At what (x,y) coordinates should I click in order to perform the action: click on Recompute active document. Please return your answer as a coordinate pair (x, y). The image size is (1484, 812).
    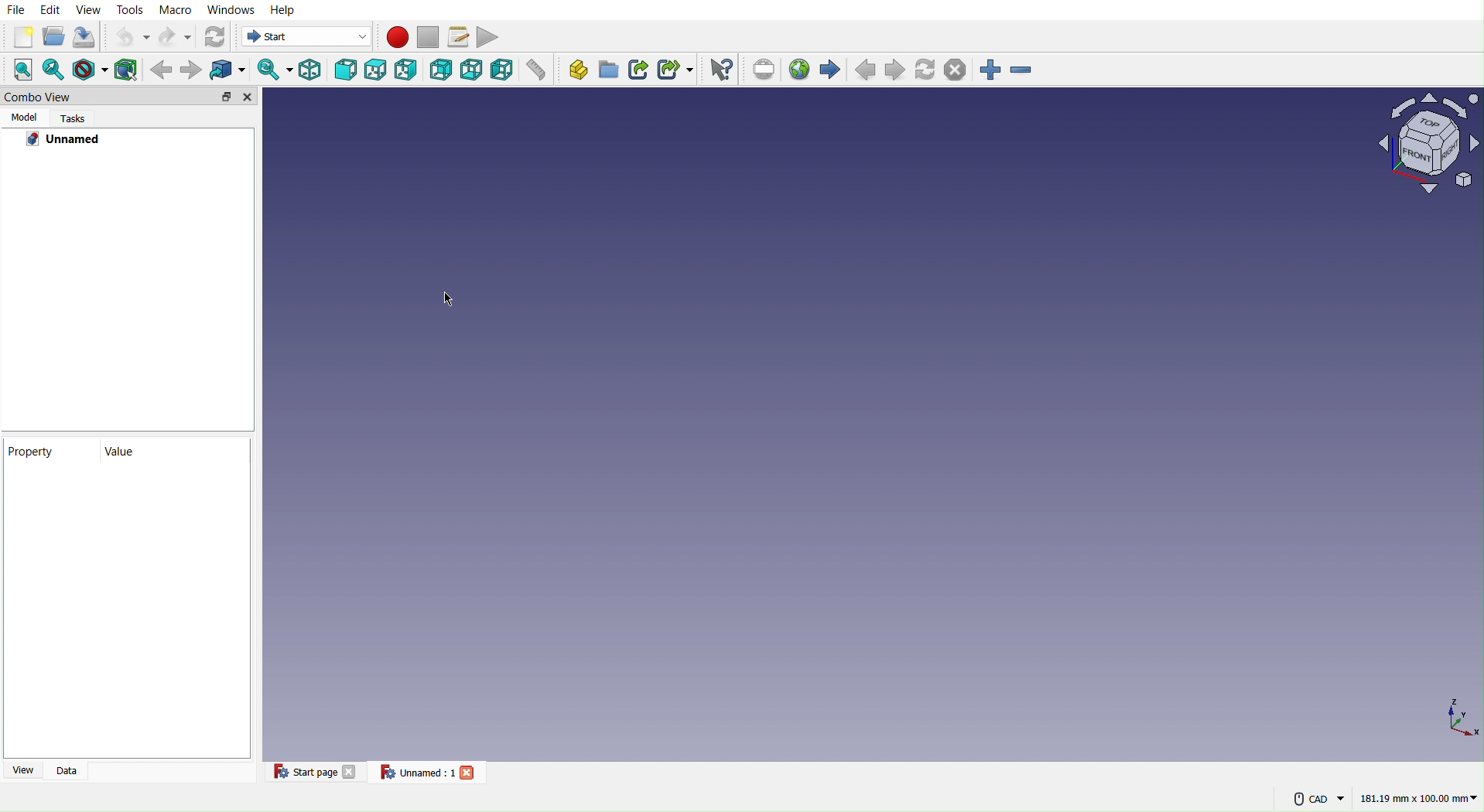
    Looking at the image, I should click on (214, 36).